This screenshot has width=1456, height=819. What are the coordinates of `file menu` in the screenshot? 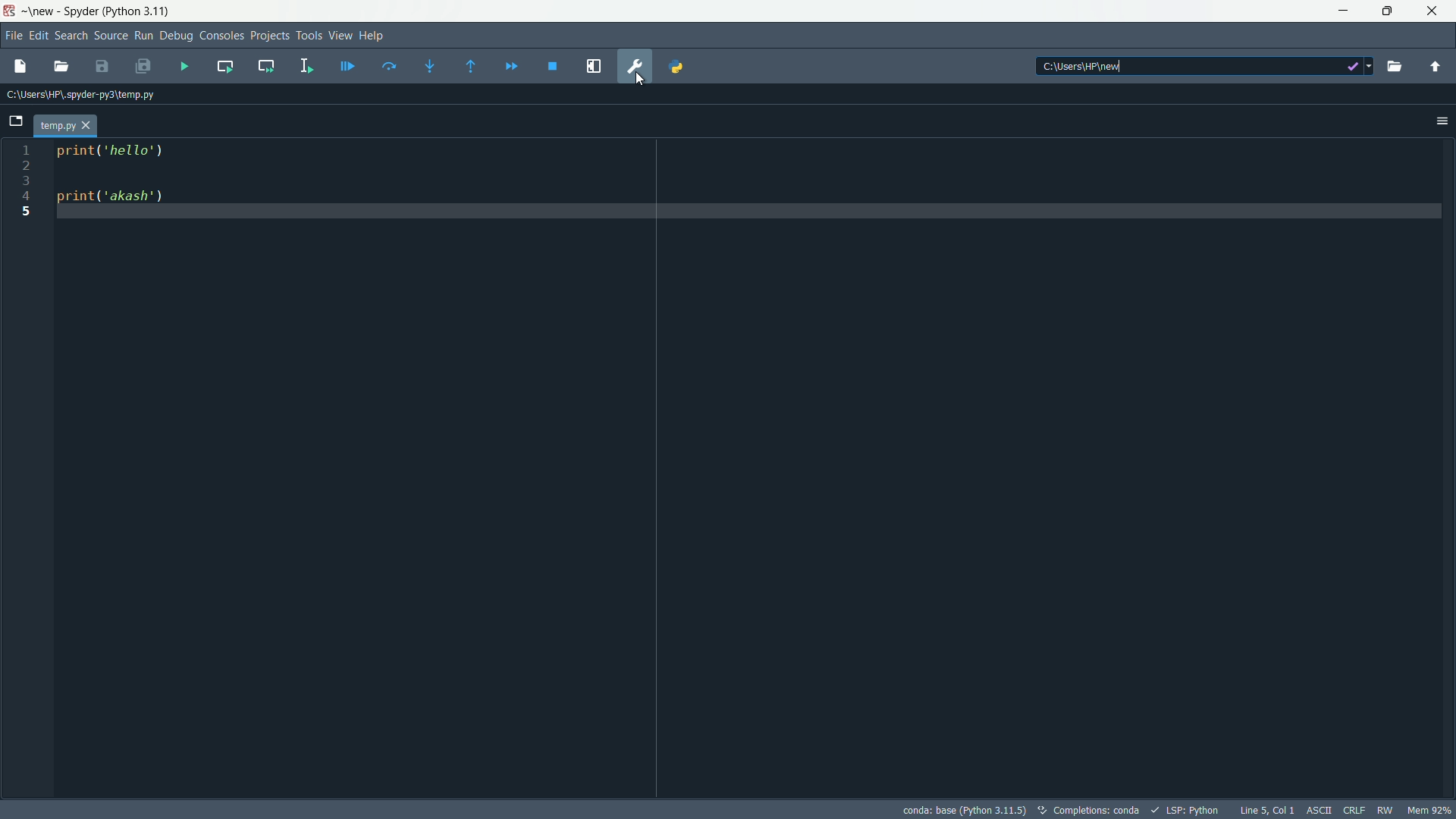 It's located at (14, 36).